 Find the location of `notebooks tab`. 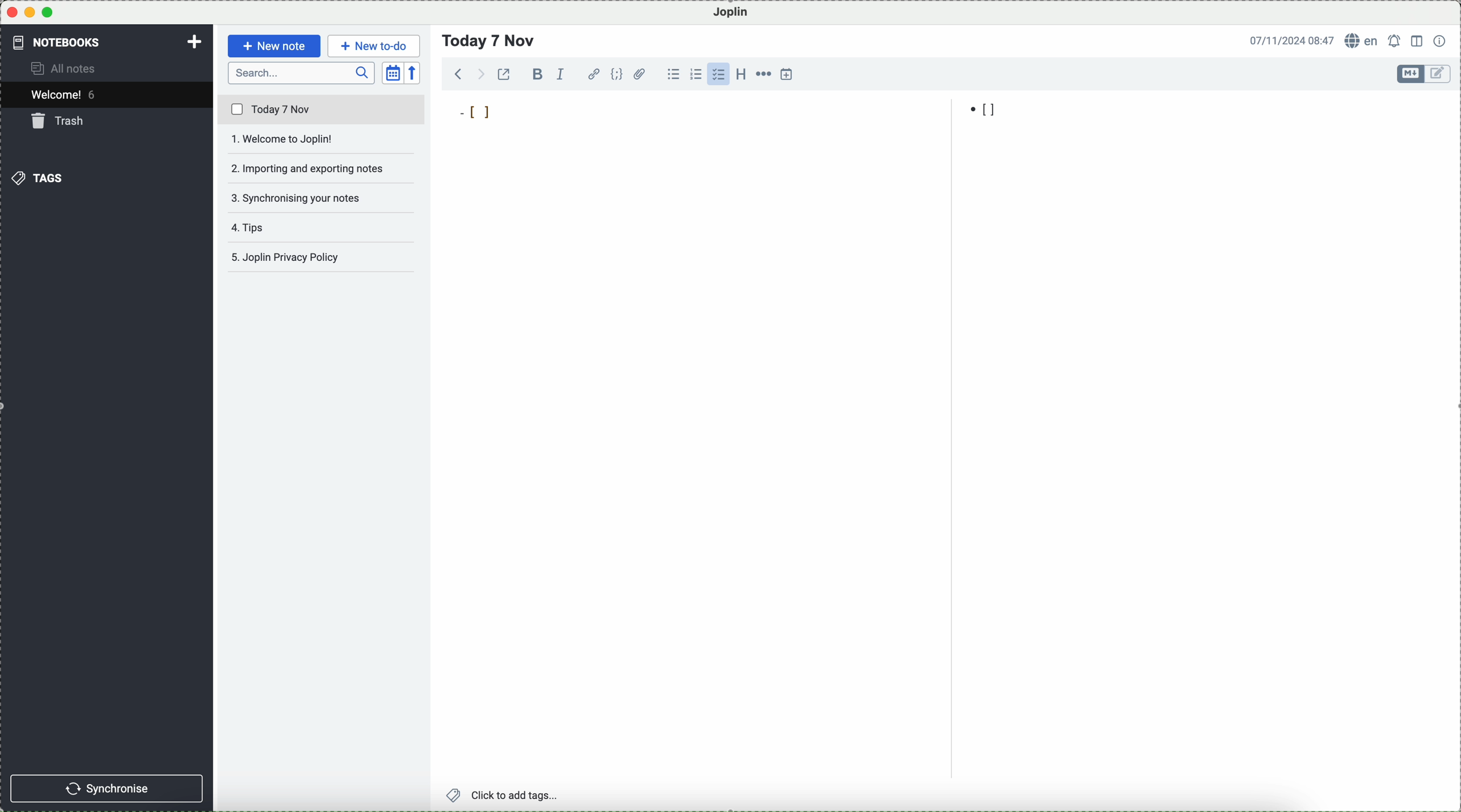

notebooks tab is located at coordinates (66, 42).